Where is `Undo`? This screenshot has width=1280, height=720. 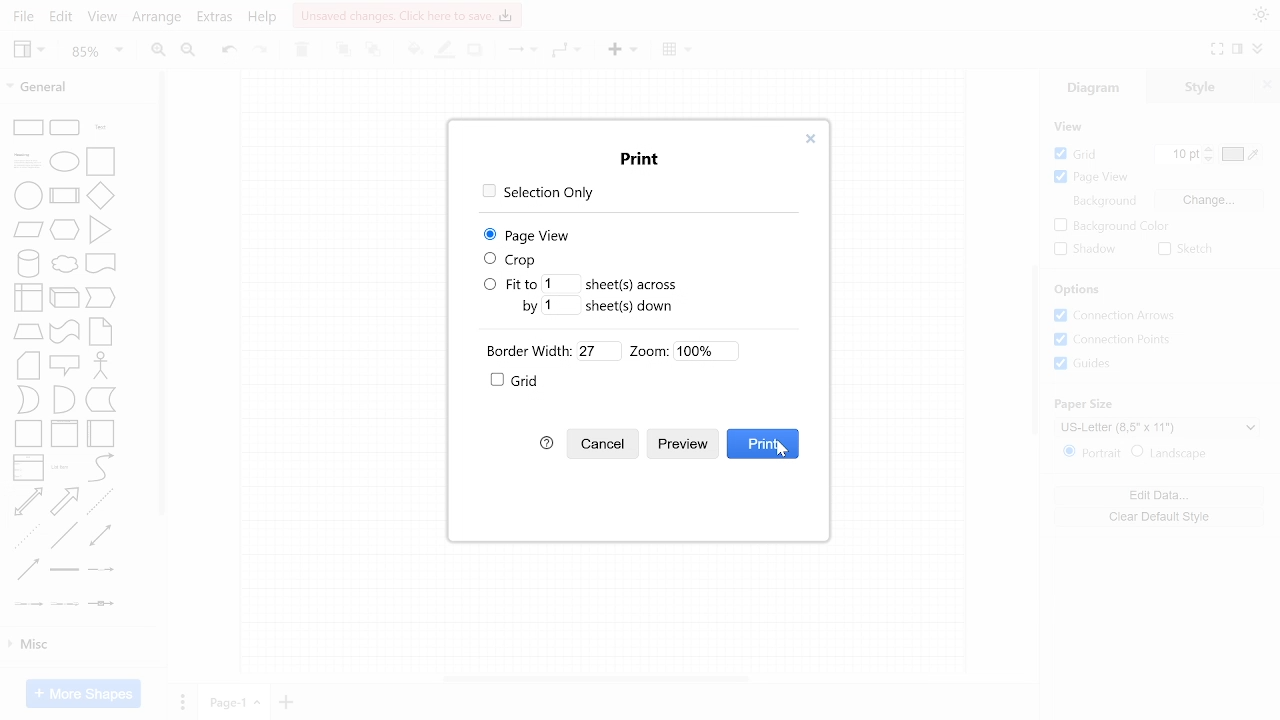
Undo is located at coordinates (228, 51).